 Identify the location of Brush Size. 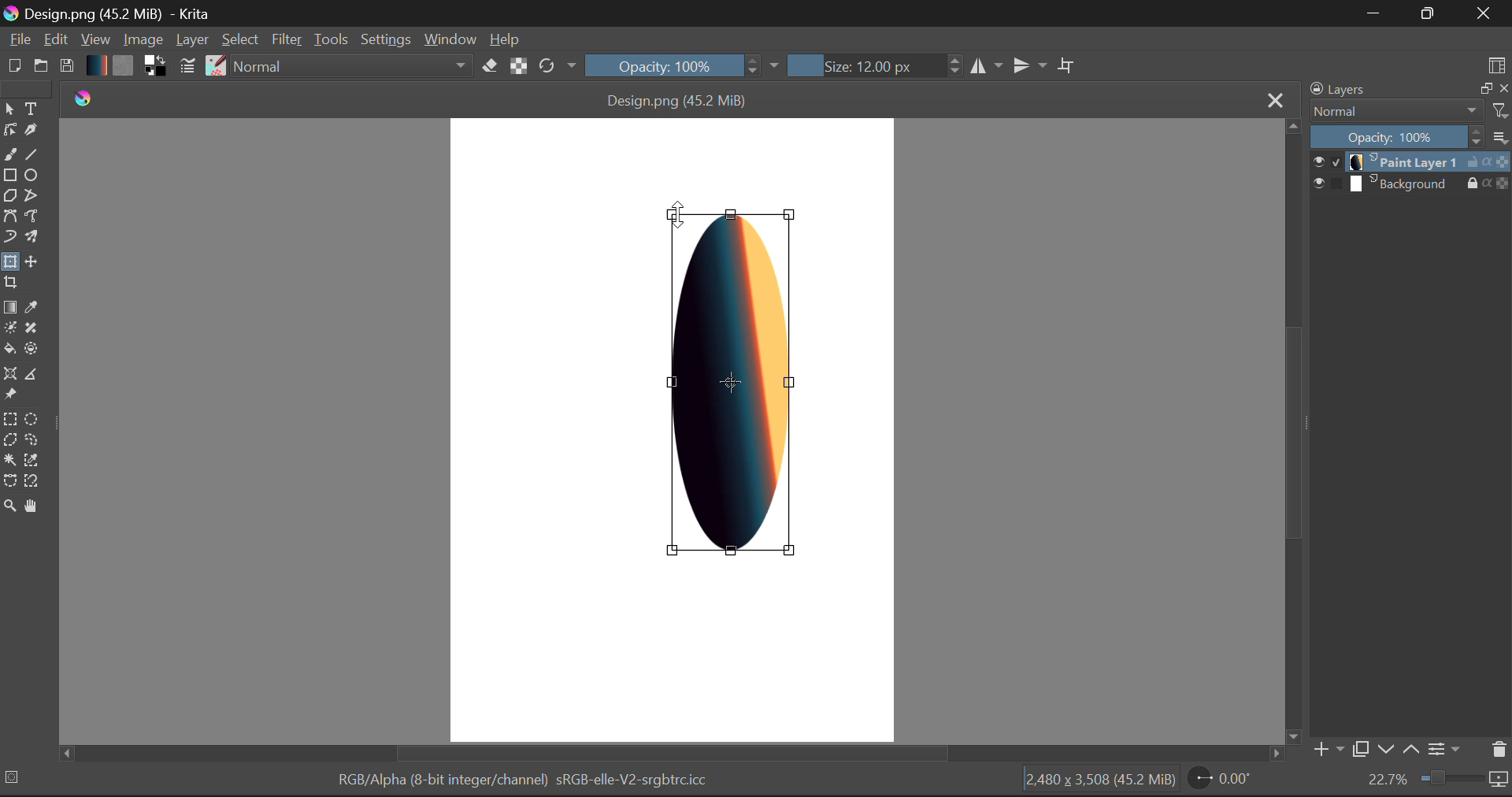
(871, 65).